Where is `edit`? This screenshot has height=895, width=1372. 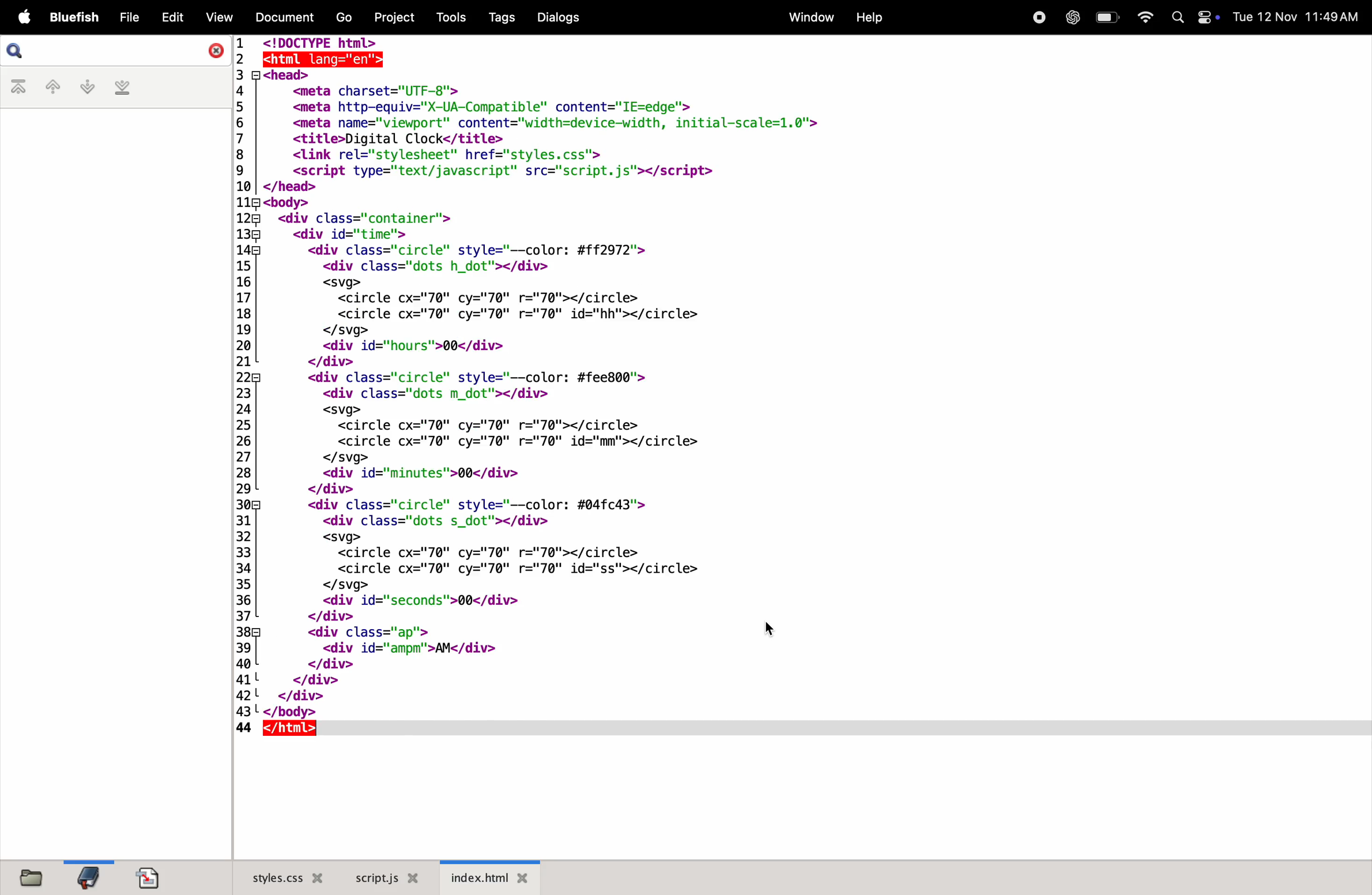
edit is located at coordinates (170, 17).